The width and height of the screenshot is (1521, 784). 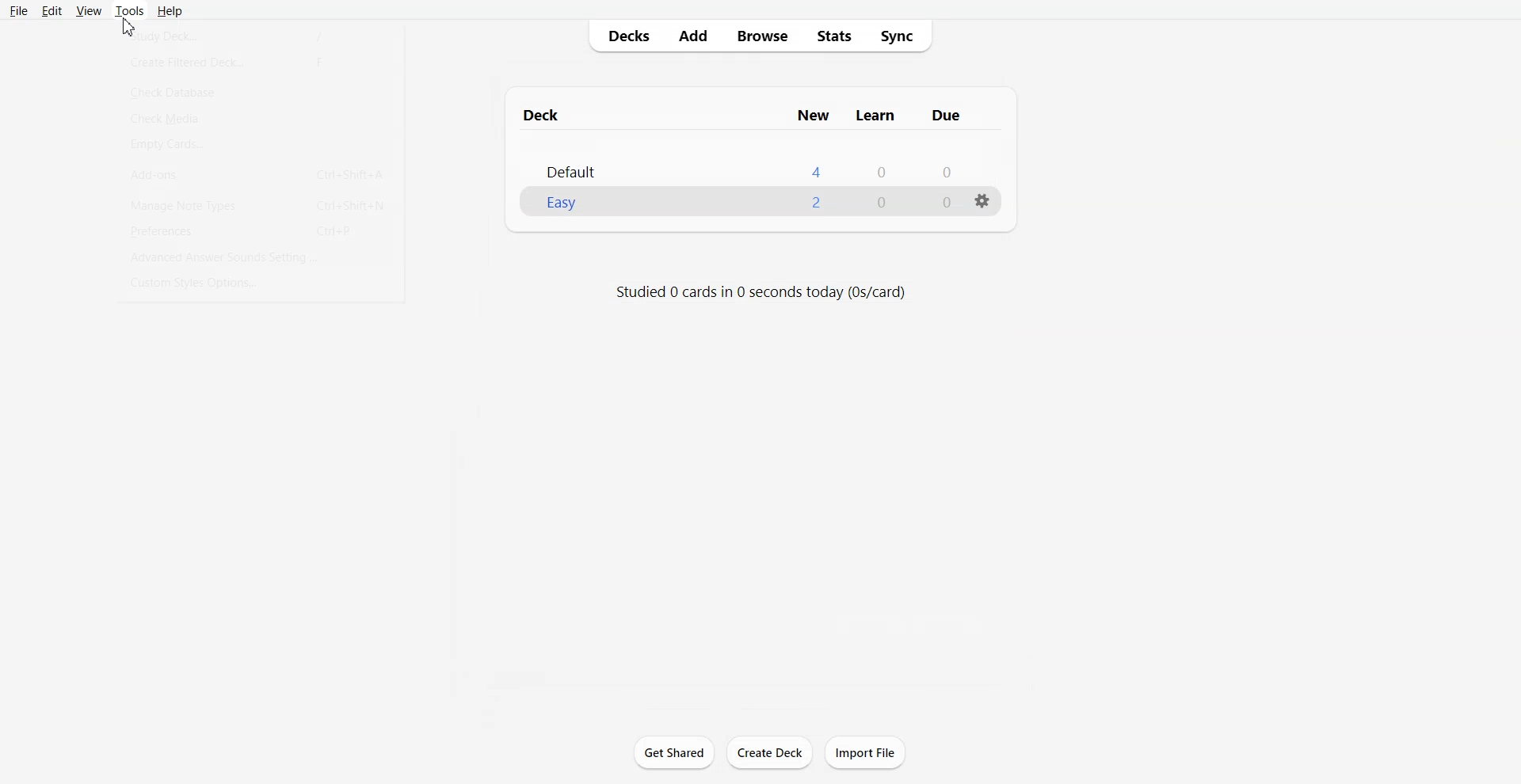 I want to click on Help, so click(x=171, y=11).